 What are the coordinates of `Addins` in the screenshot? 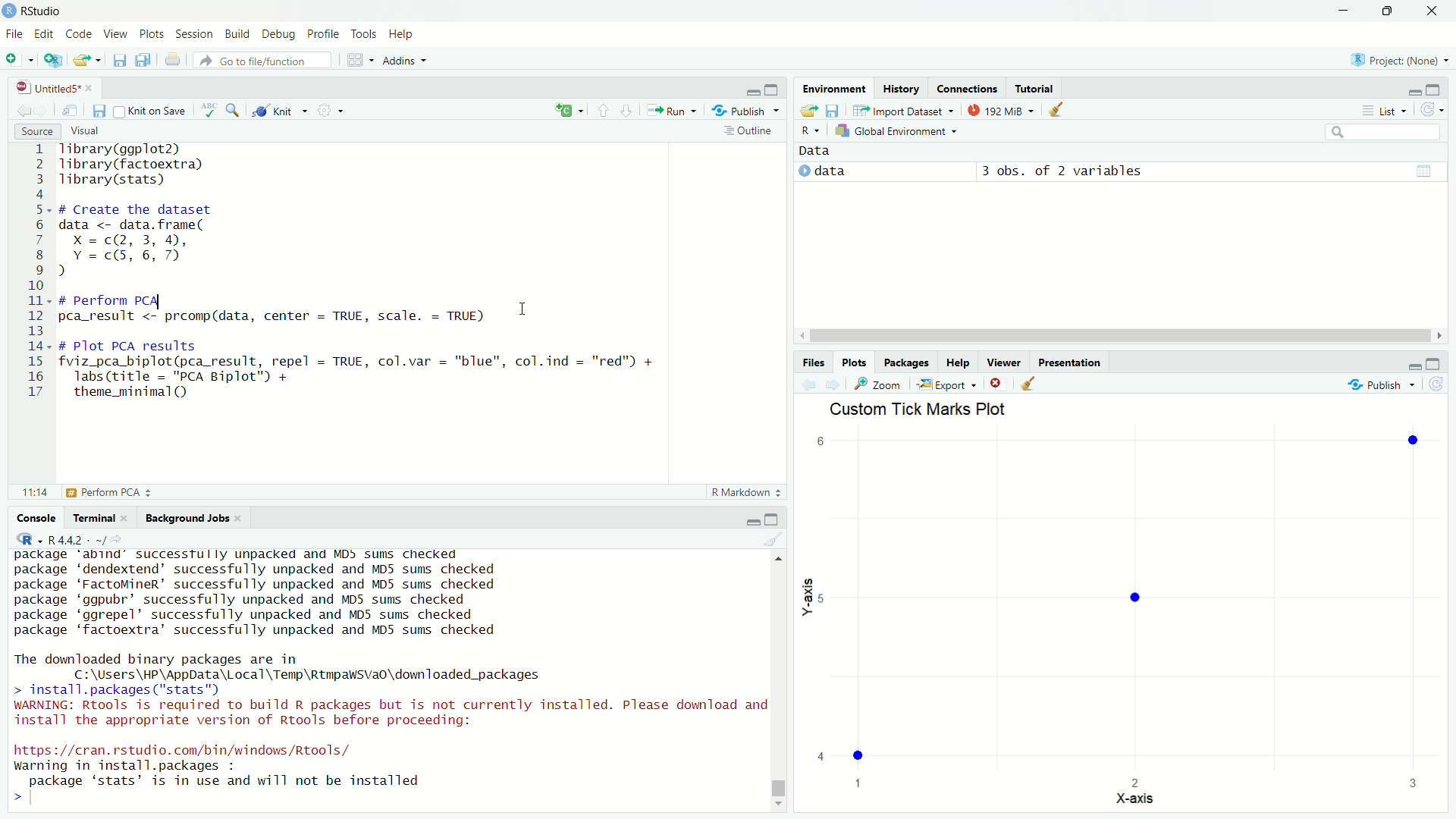 It's located at (405, 60).